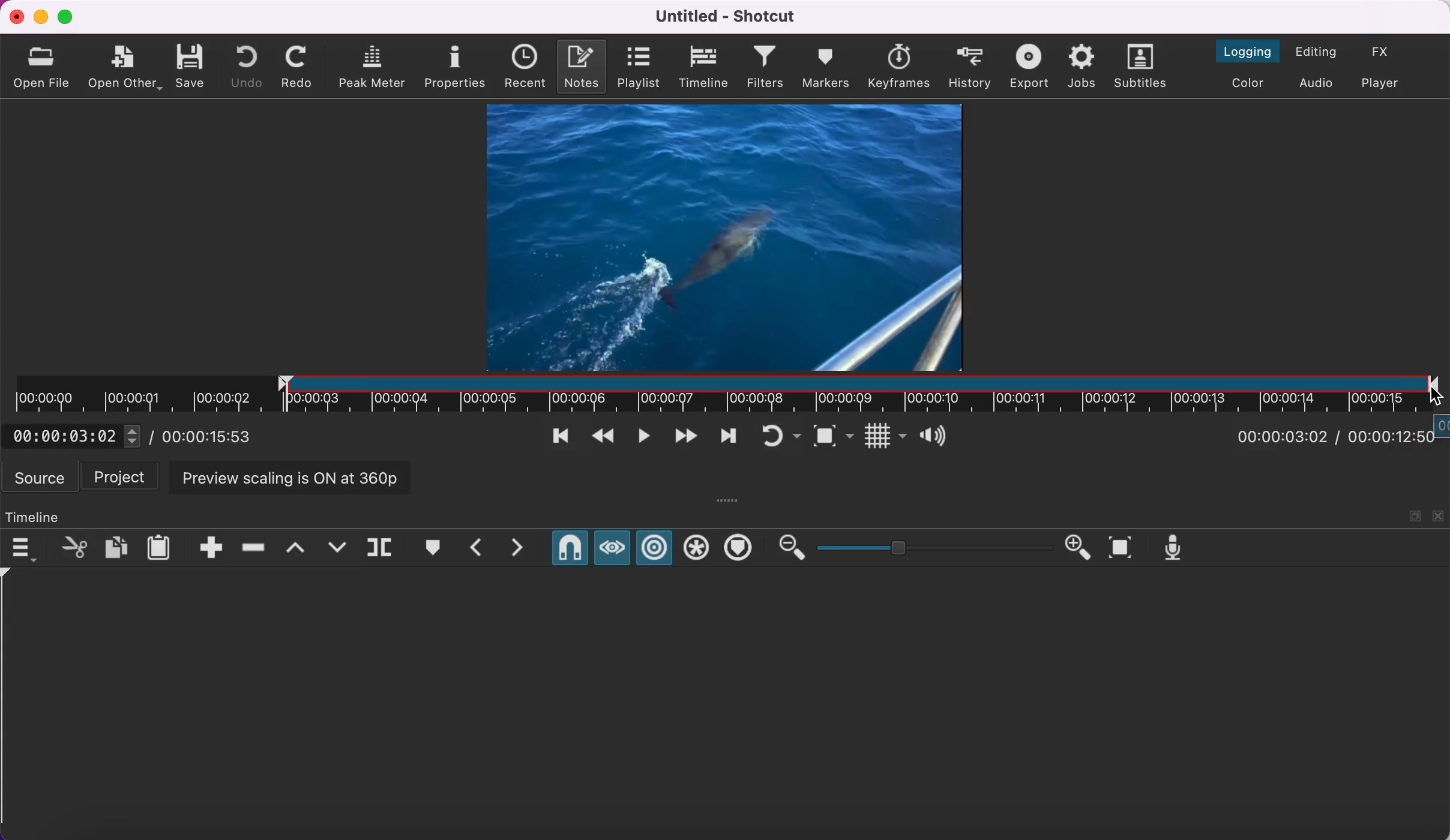  What do you see at coordinates (933, 547) in the screenshot?
I see `zoom graduation` at bounding box center [933, 547].